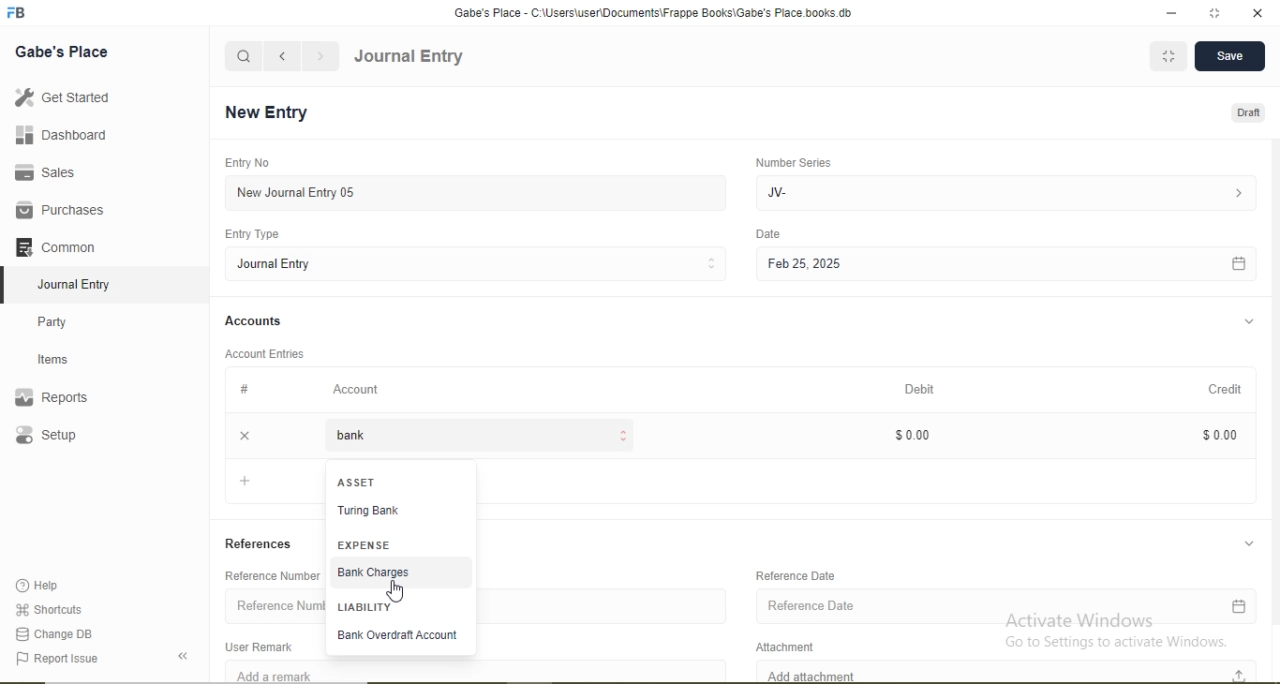  Describe the element at coordinates (655, 12) in the screenshot. I see `Gabe's Place - C:\Users\useriDocuments\Frappe Books\Gabe's Place books.db` at that location.